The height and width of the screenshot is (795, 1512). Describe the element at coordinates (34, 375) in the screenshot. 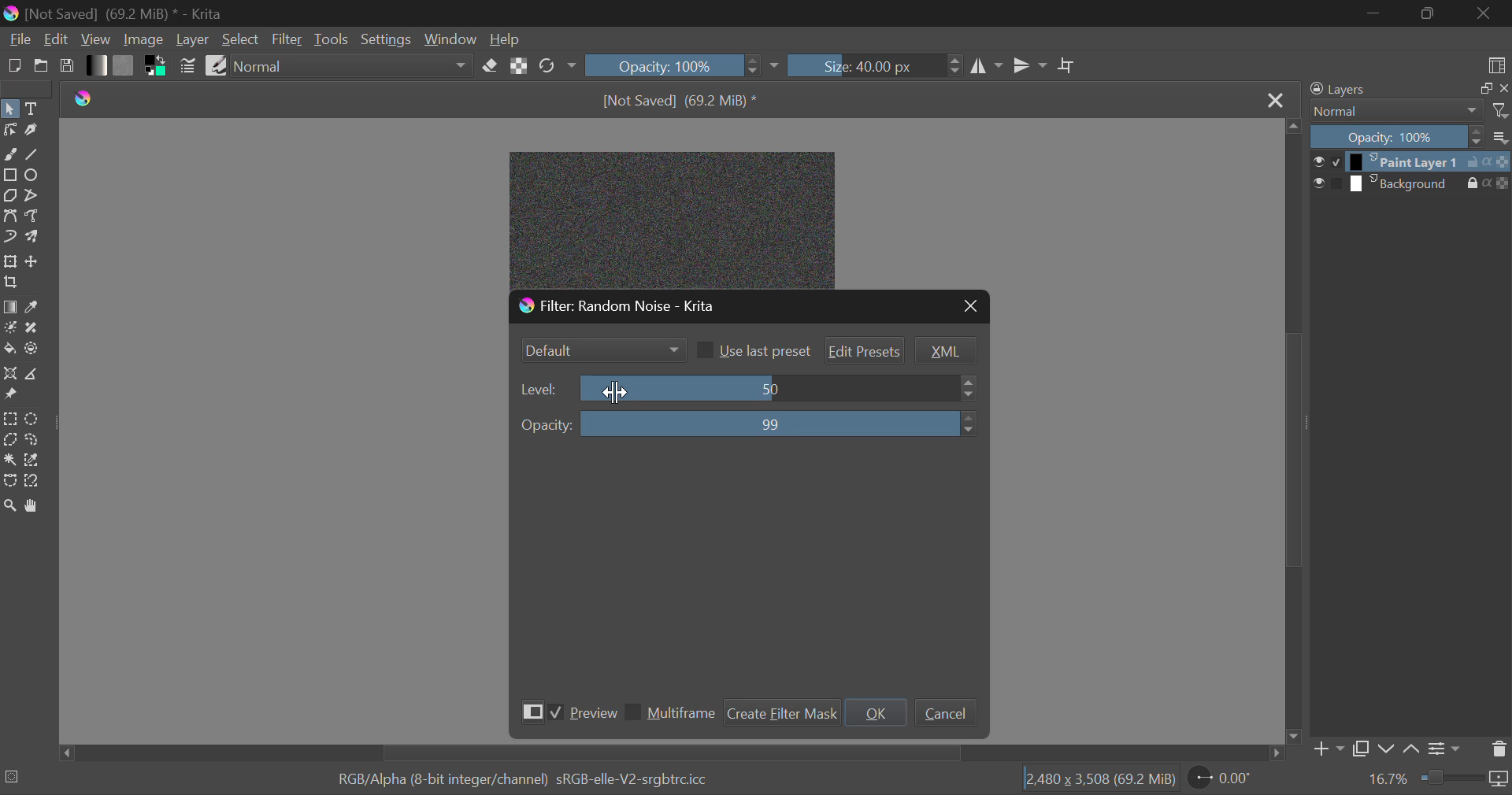

I see `Measurement` at that location.